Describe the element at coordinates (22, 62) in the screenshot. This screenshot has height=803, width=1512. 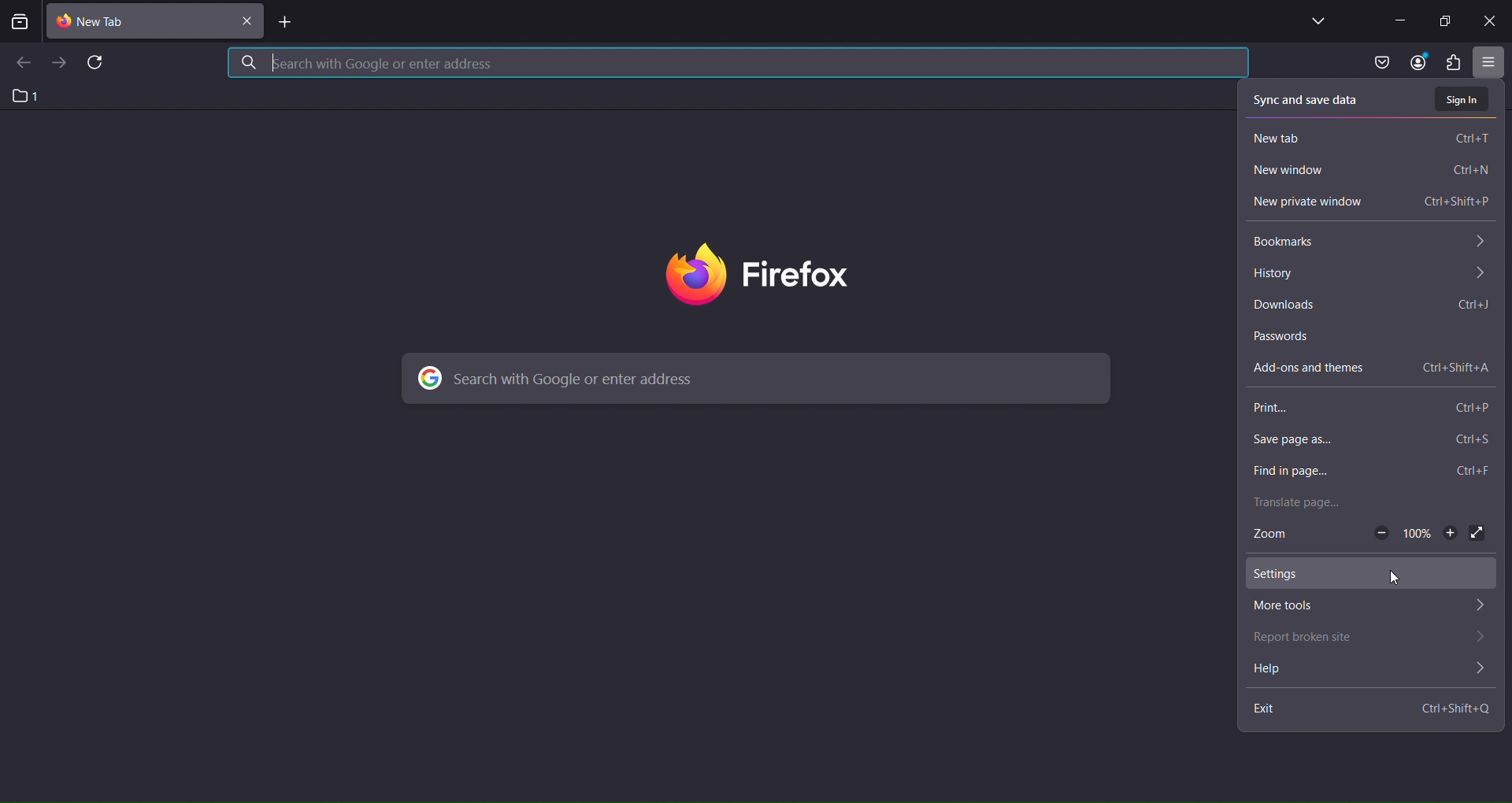
I see `go back one page` at that location.